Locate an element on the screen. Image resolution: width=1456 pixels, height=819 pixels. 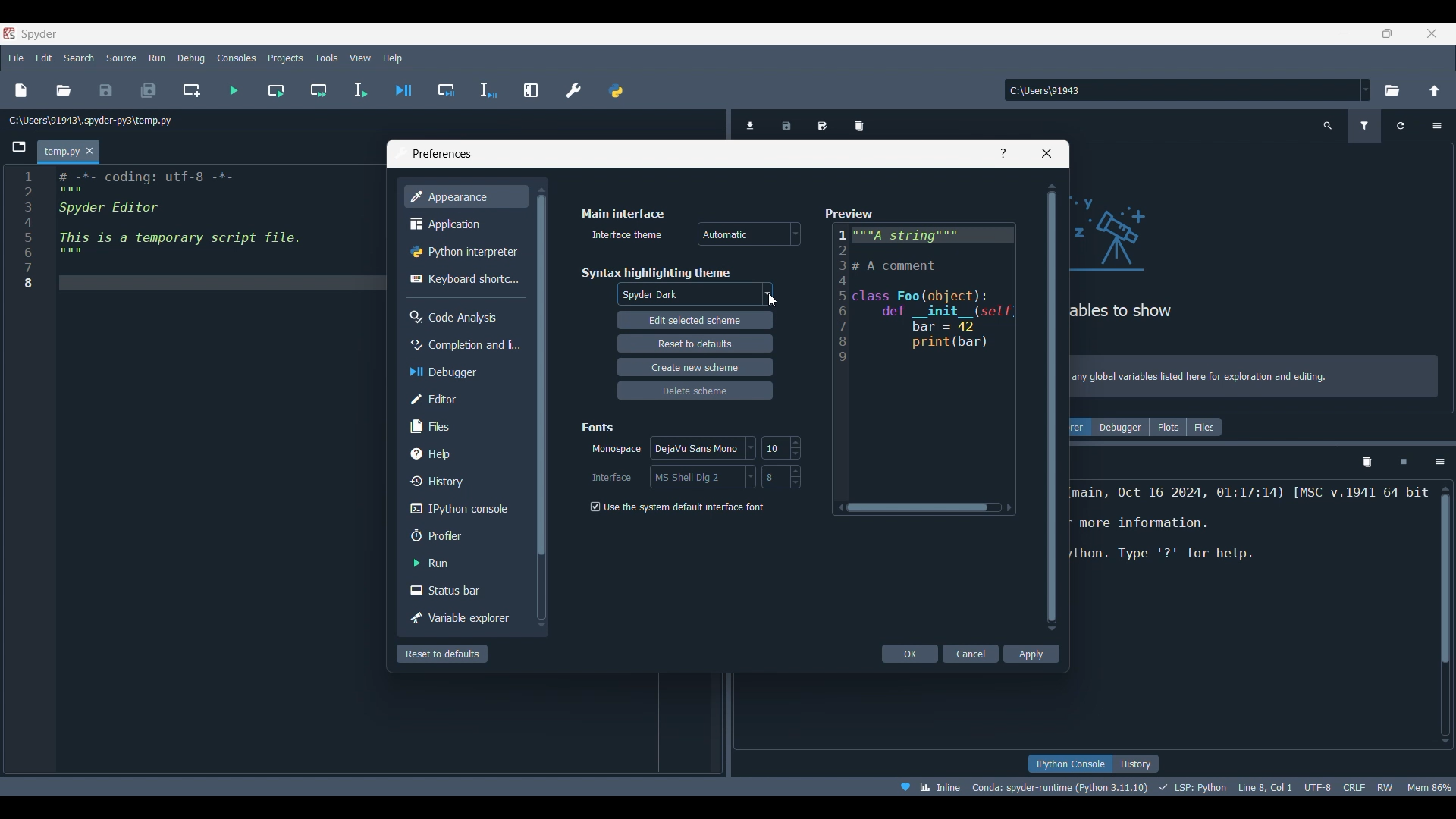
Indicates Monospace settings is located at coordinates (617, 450).